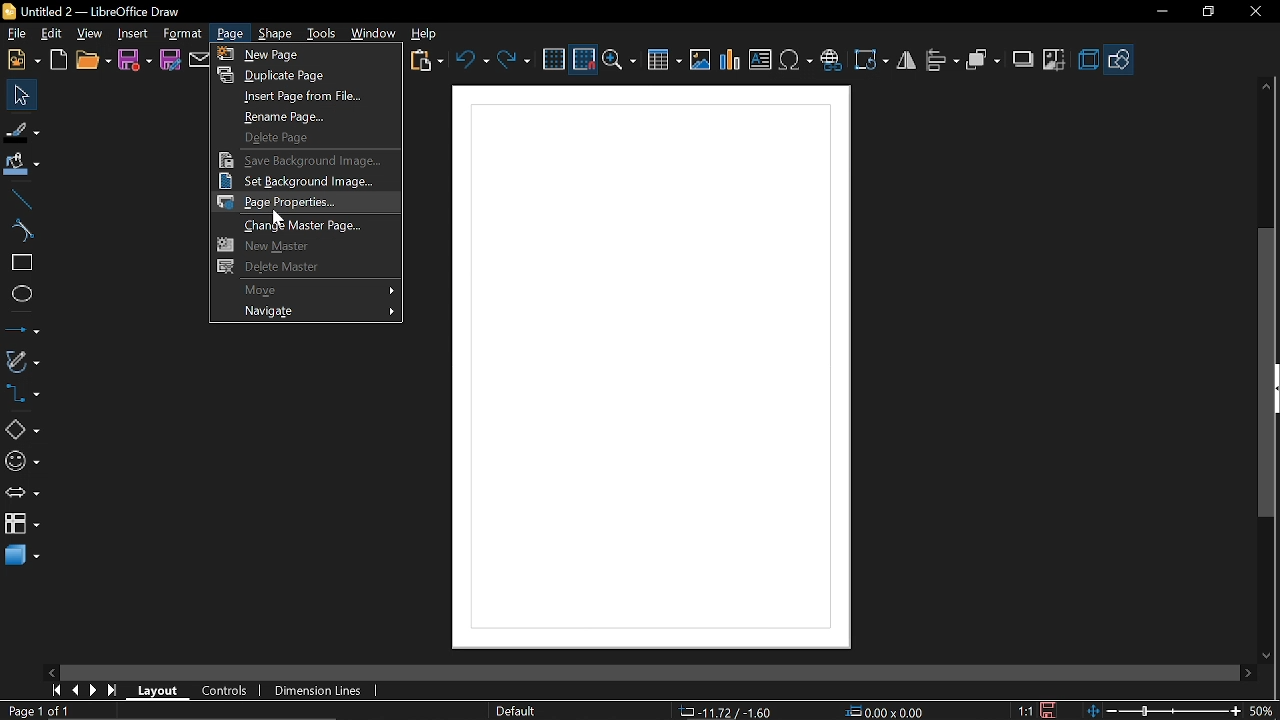 The height and width of the screenshot is (720, 1280). What do you see at coordinates (230, 33) in the screenshot?
I see `Page` at bounding box center [230, 33].